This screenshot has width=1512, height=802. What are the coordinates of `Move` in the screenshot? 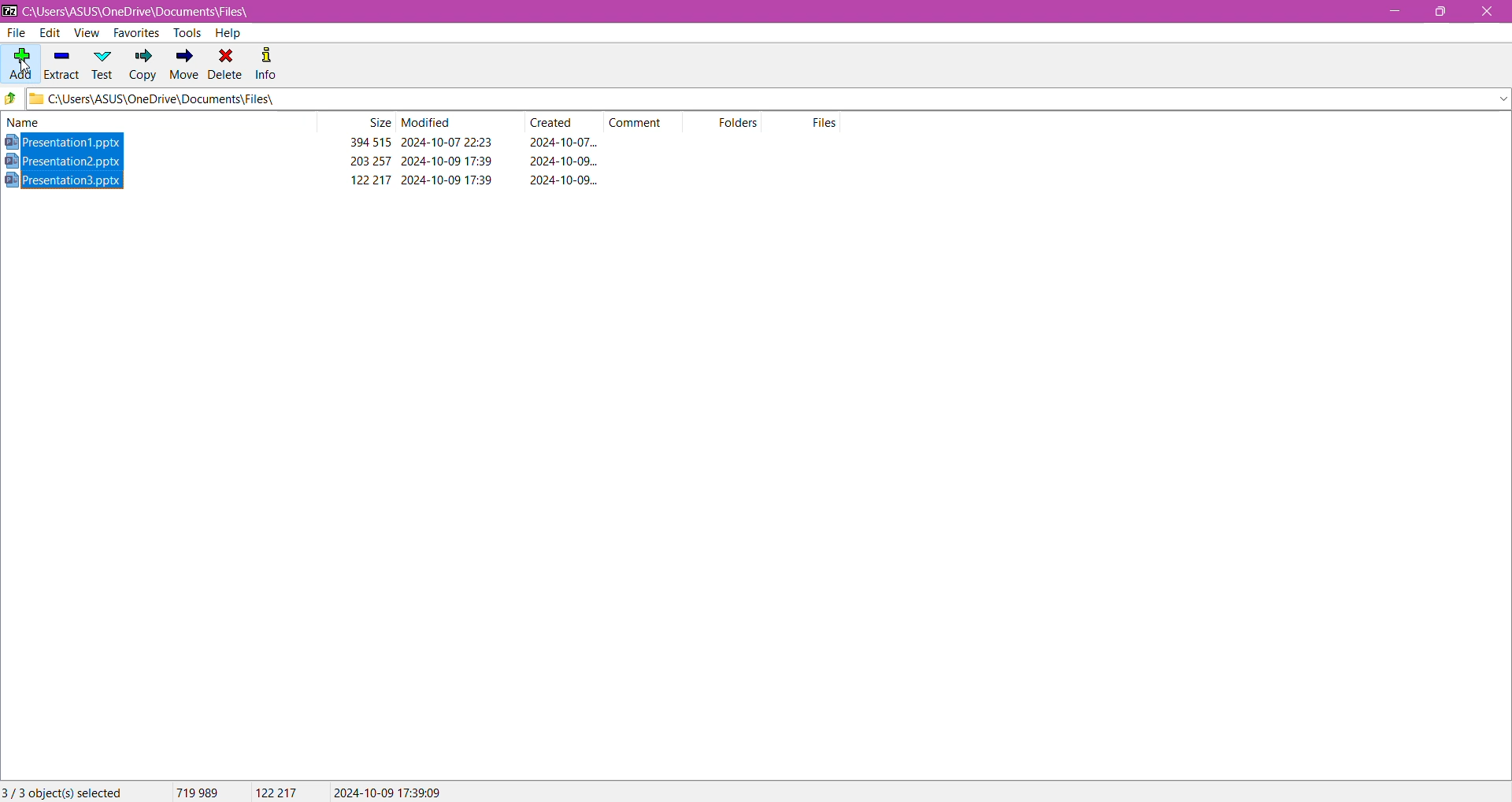 It's located at (182, 65).